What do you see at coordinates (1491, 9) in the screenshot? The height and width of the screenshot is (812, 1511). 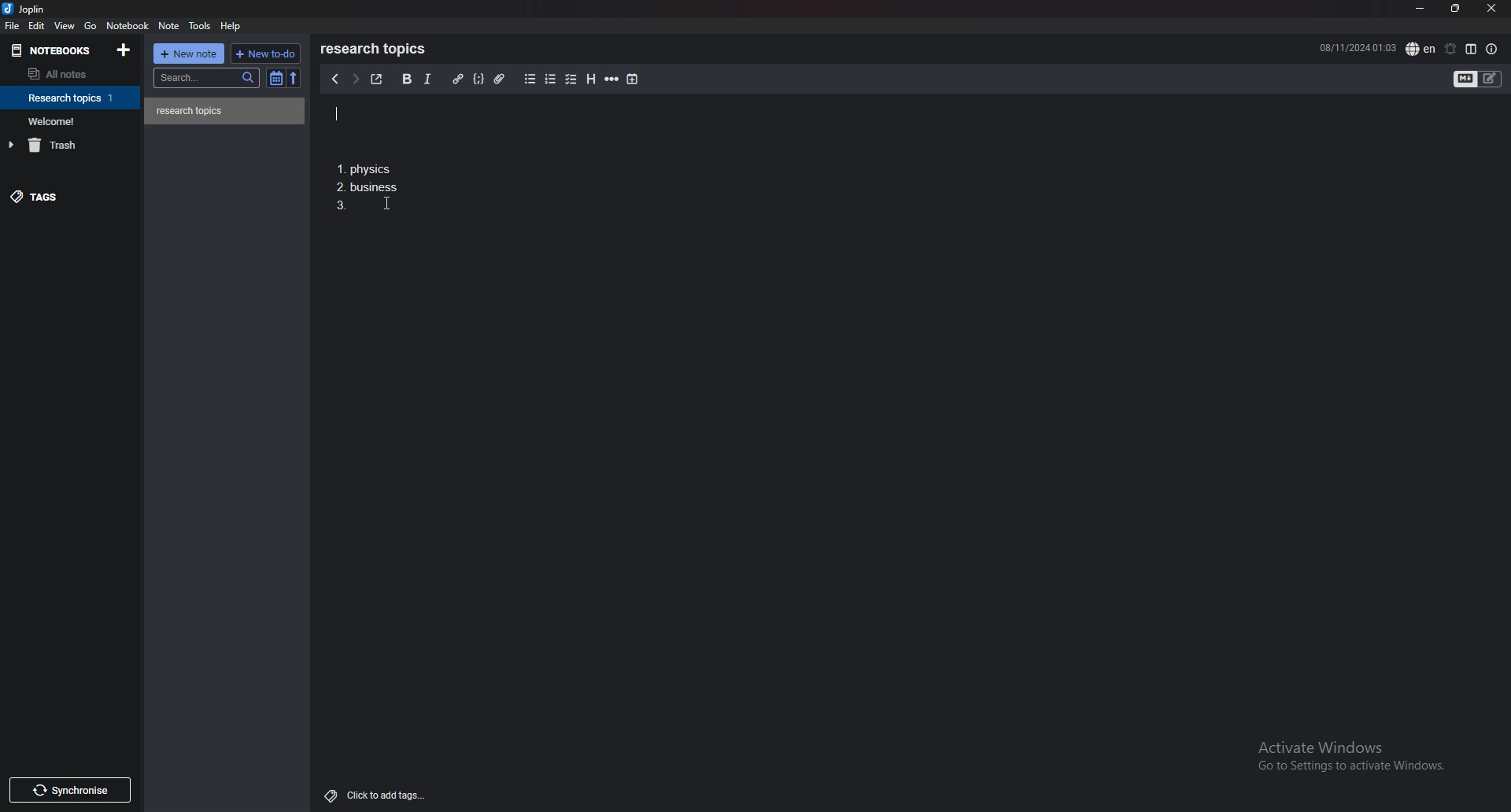 I see `close` at bounding box center [1491, 9].